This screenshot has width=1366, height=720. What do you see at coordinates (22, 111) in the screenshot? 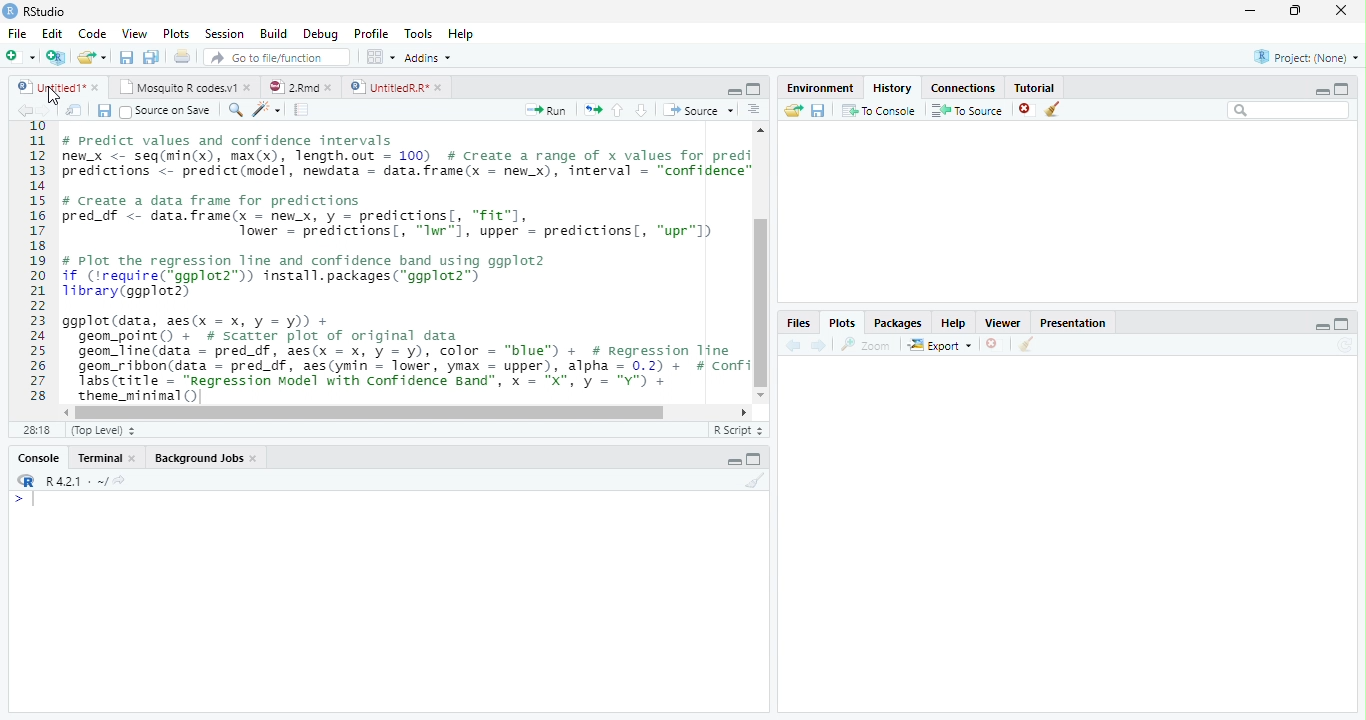
I see `back` at bounding box center [22, 111].